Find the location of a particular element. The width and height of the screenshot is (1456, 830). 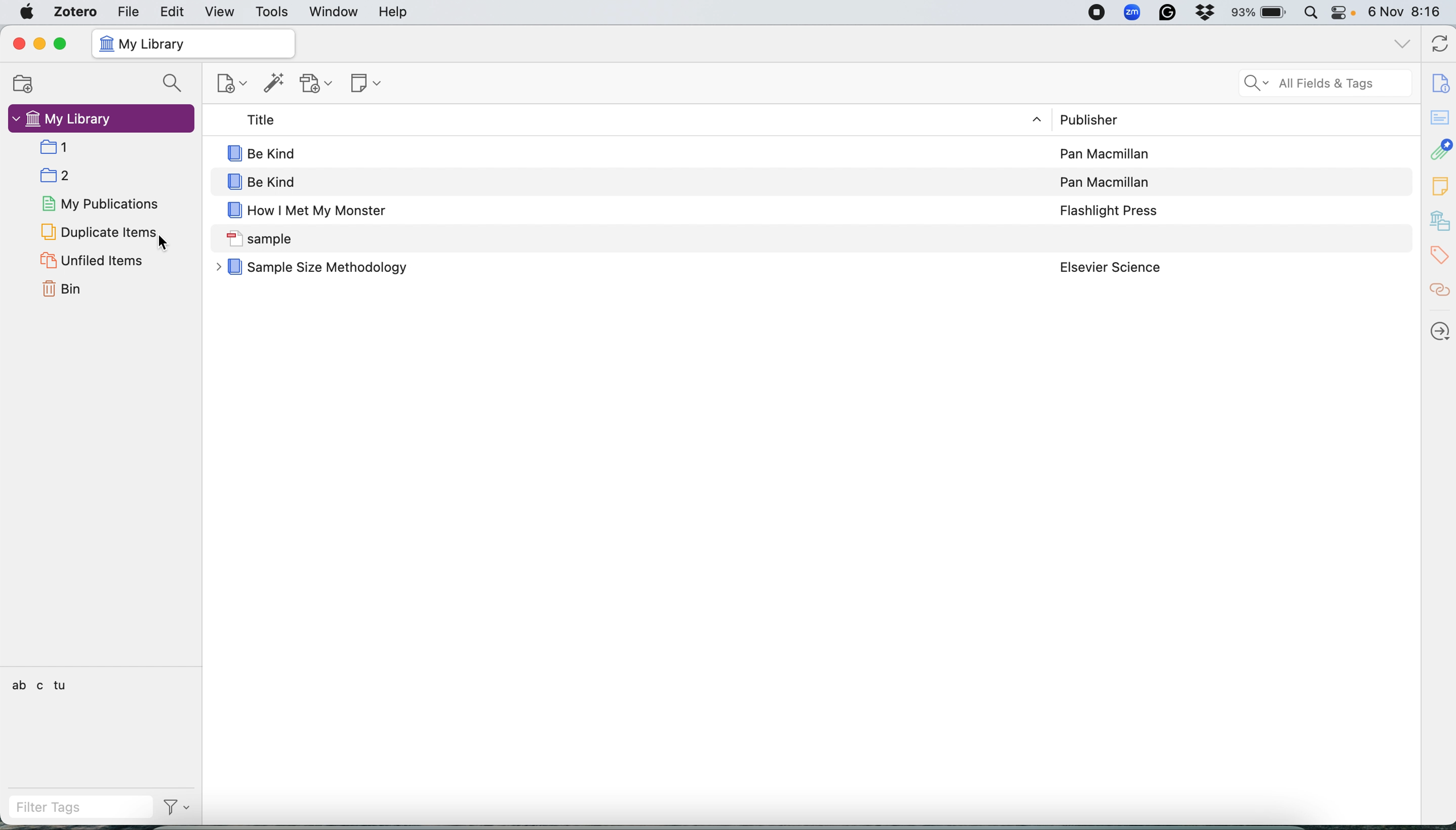

add item by portion is located at coordinates (278, 83).